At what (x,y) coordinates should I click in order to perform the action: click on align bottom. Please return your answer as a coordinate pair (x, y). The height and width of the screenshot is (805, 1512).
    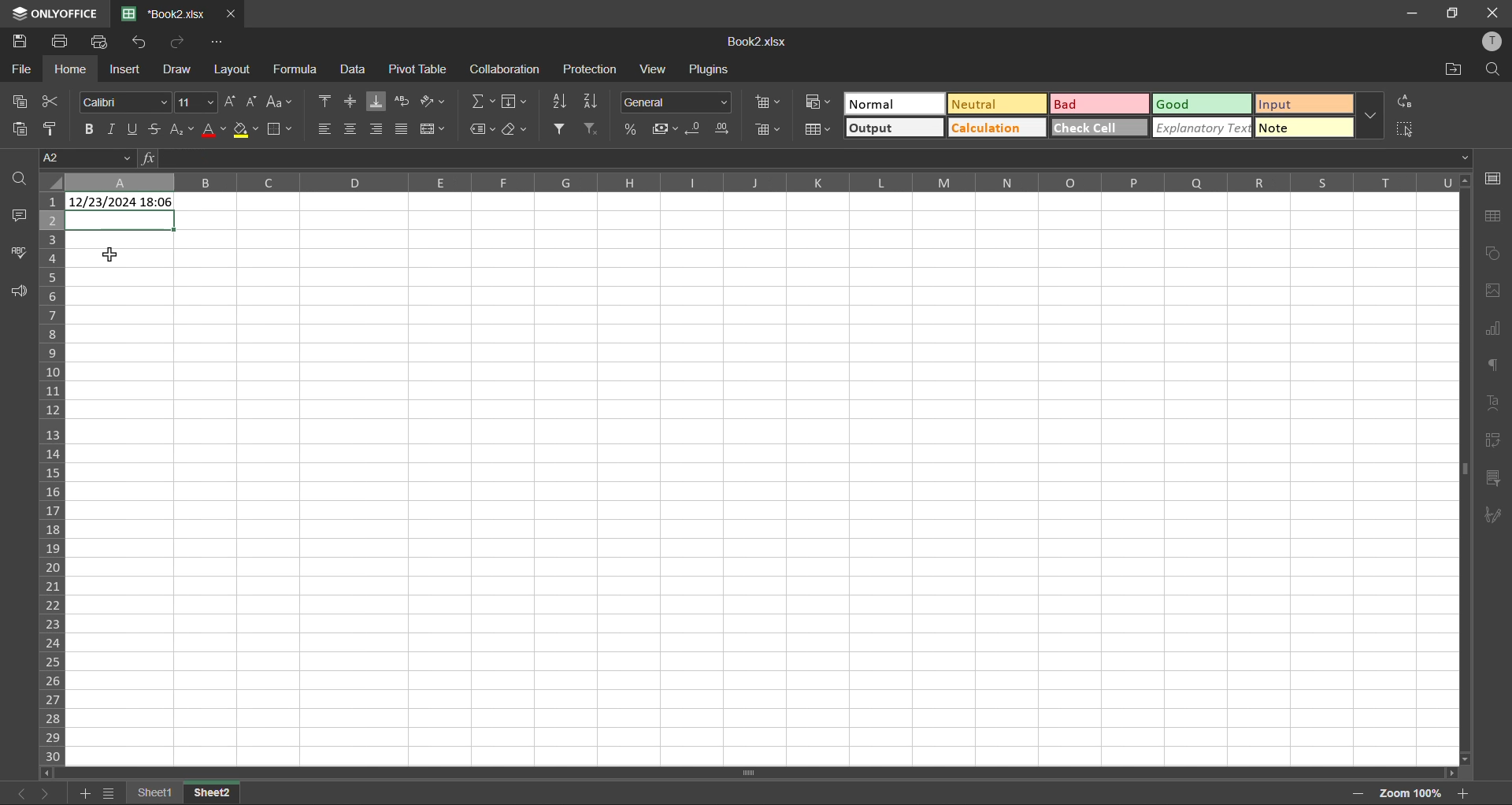
    Looking at the image, I should click on (380, 102).